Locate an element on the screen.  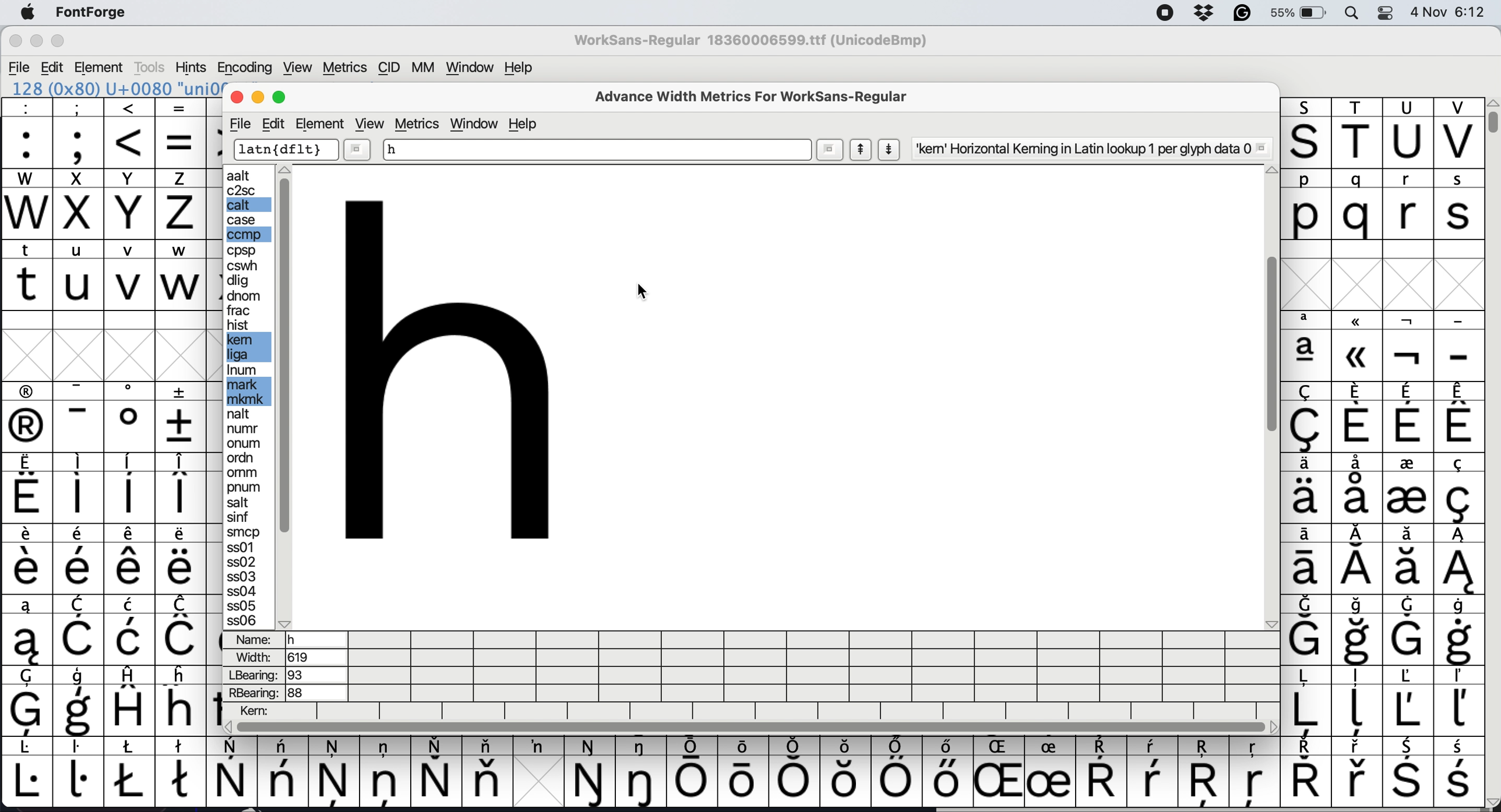
special letters is located at coordinates (742, 781).